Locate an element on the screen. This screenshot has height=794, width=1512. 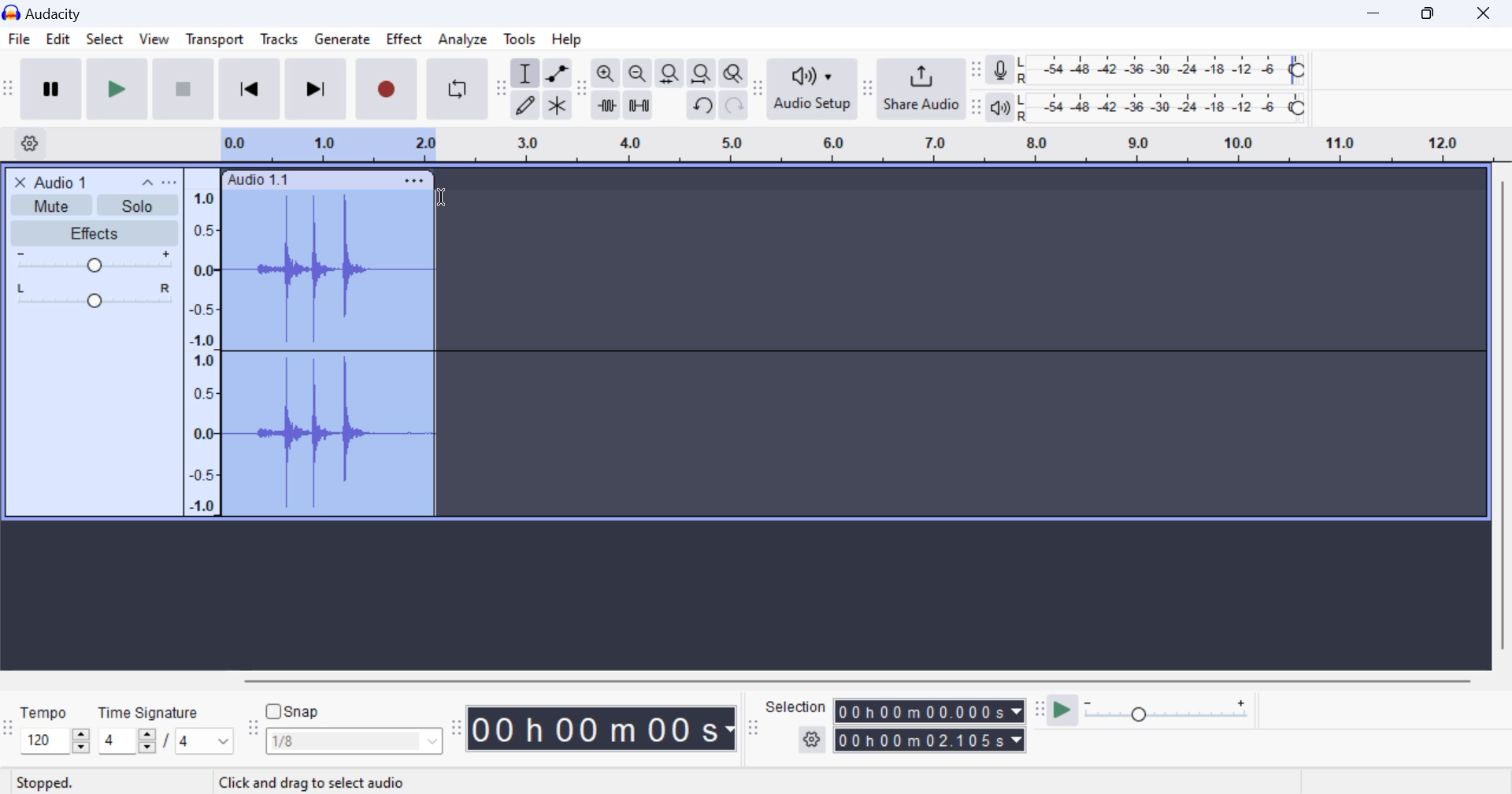
Restore Down is located at coordinates (1376, 13).